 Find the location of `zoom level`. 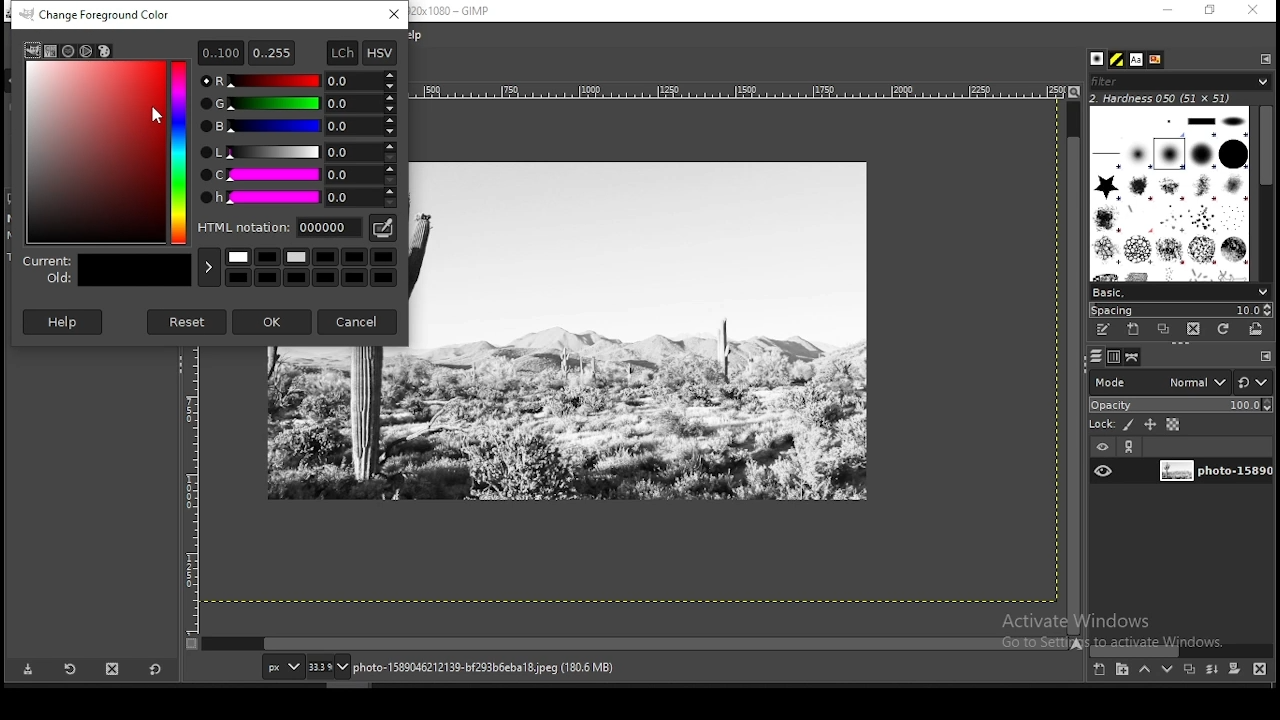

zoom level is located at coordinates (329, 666).